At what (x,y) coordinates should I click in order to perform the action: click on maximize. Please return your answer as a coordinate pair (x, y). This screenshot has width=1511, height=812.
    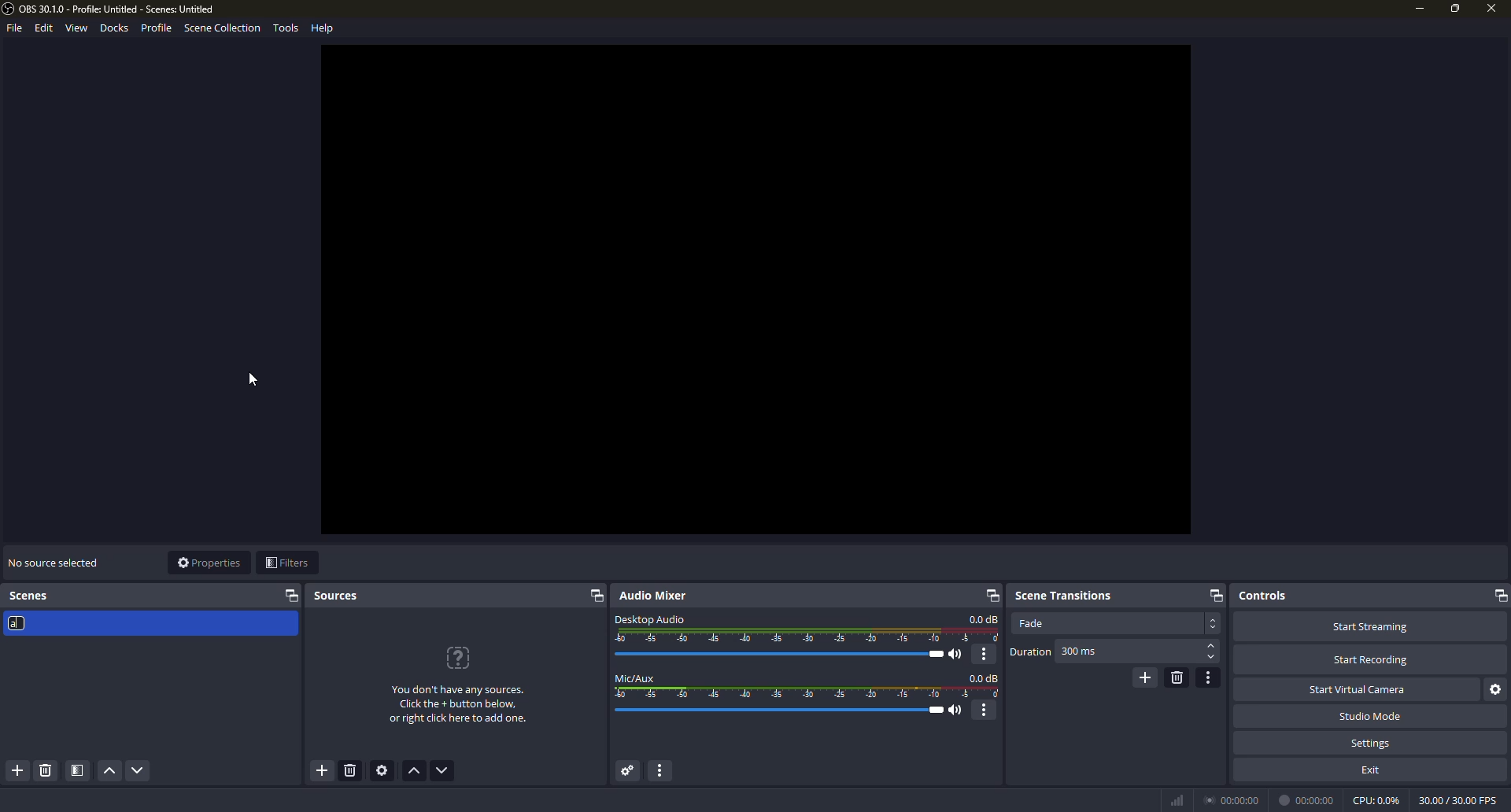
    Looking at the image, I should click on (1455, 8).